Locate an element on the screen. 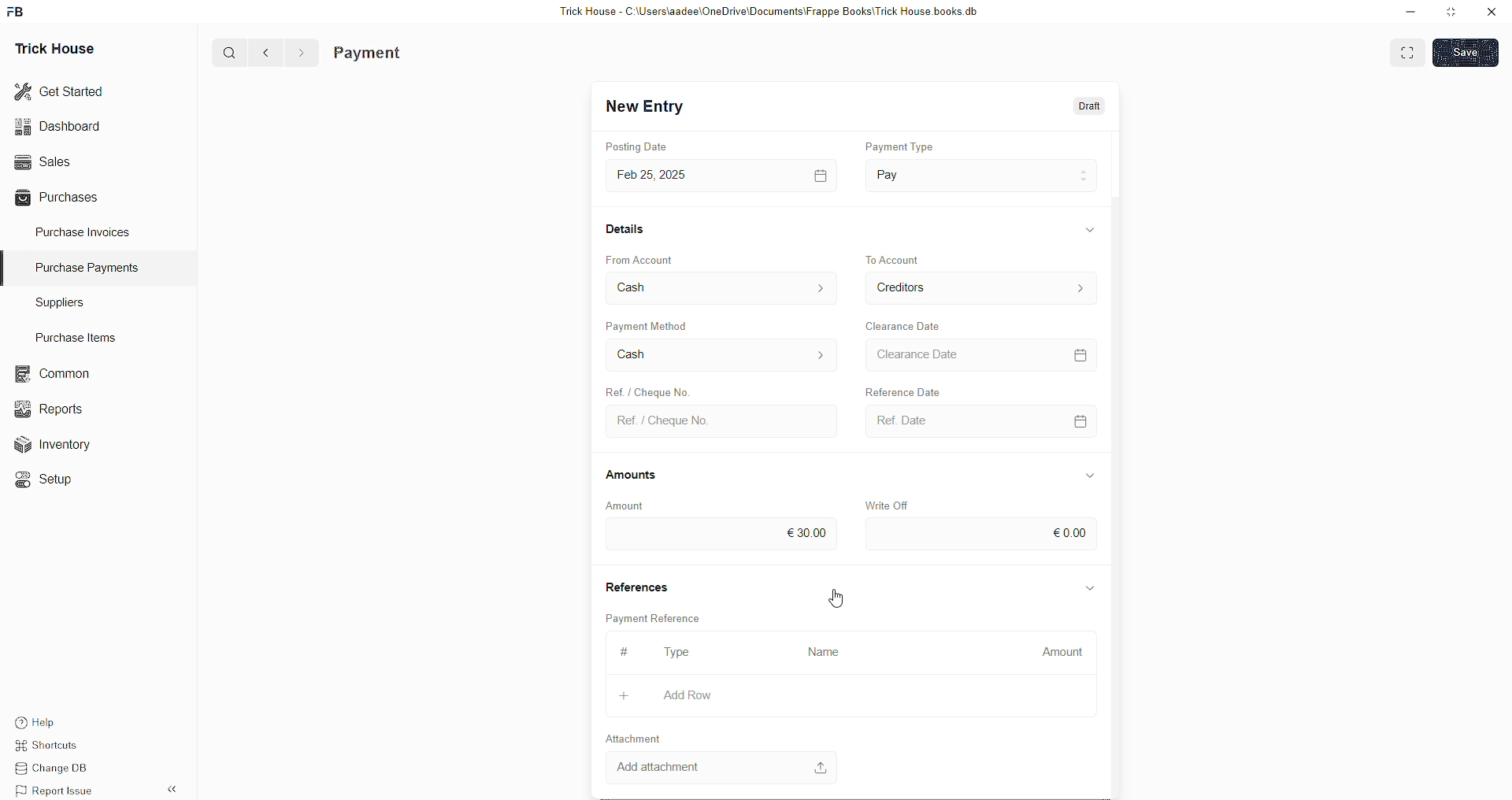 This screenshot has width=1512, height=800. Amounts is located at coordinates (628, 476).